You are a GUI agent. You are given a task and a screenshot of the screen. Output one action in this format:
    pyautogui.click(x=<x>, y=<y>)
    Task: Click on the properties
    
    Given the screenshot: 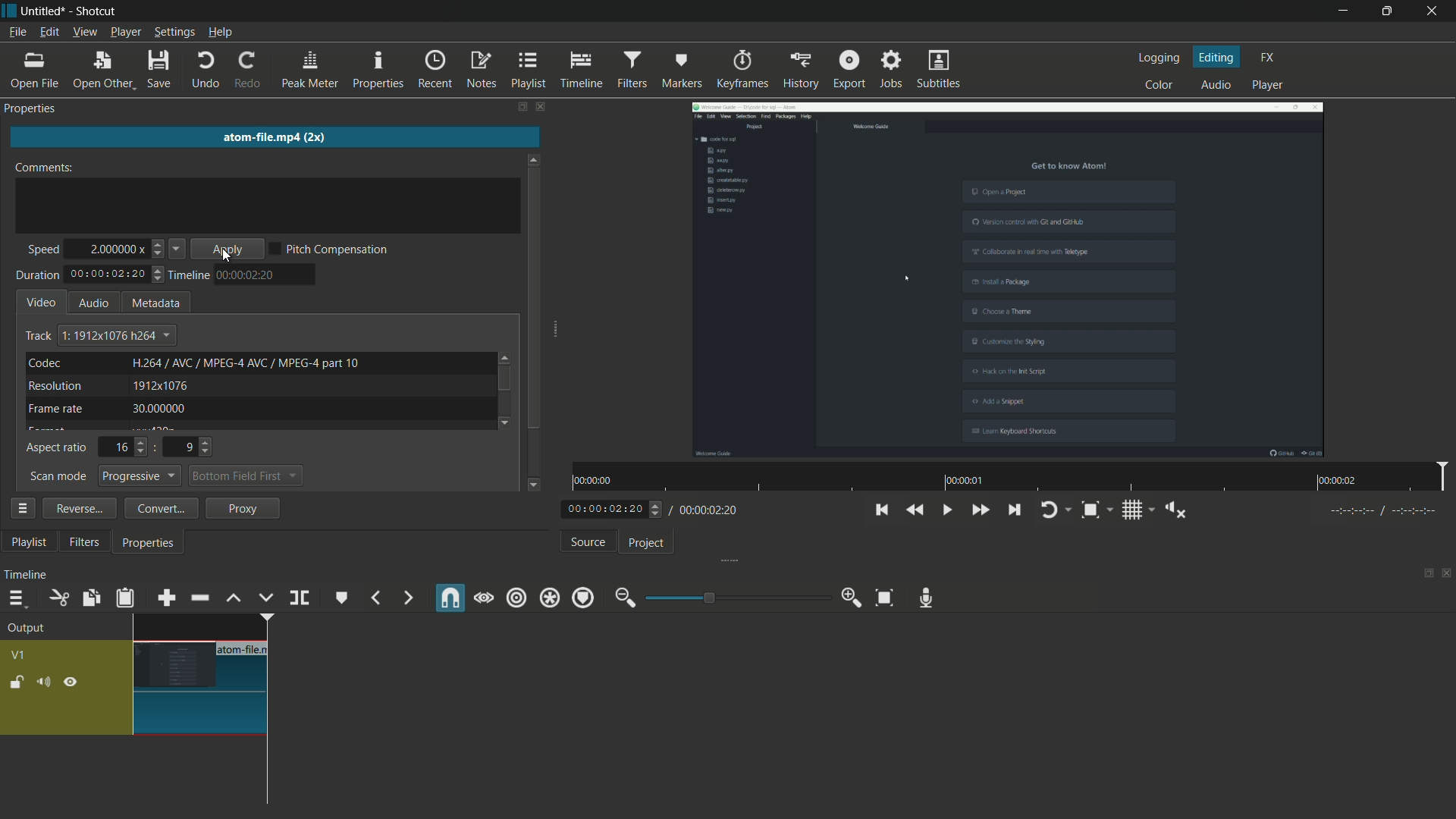 What is the action you would take?
    pyautogui.click(x=377, y=71)
    